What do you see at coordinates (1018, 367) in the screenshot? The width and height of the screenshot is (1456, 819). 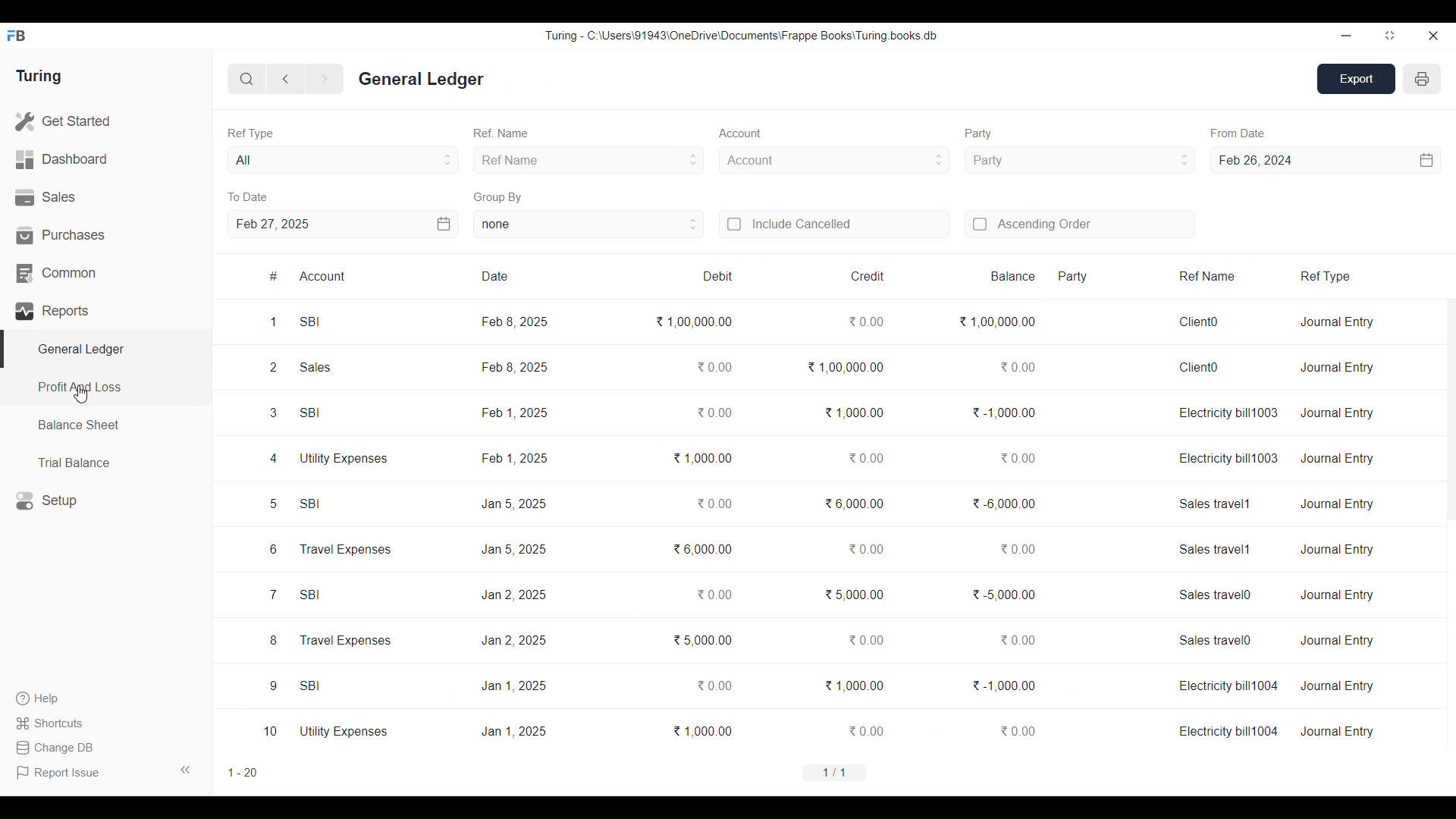 I see `0.00` at bounding box center [1018, 367].